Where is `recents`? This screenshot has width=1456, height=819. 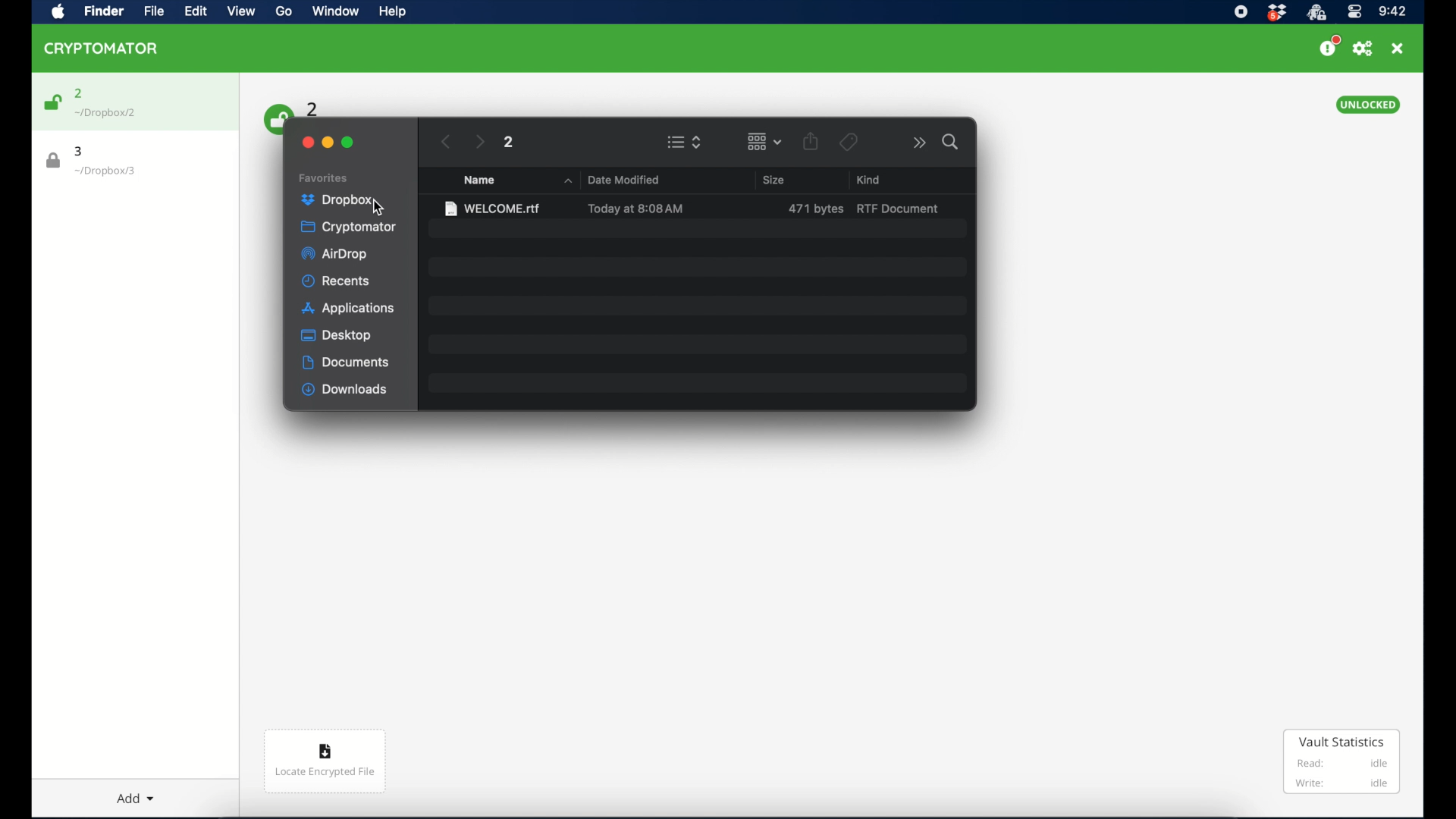
recents is located at coordinates (337, 281).